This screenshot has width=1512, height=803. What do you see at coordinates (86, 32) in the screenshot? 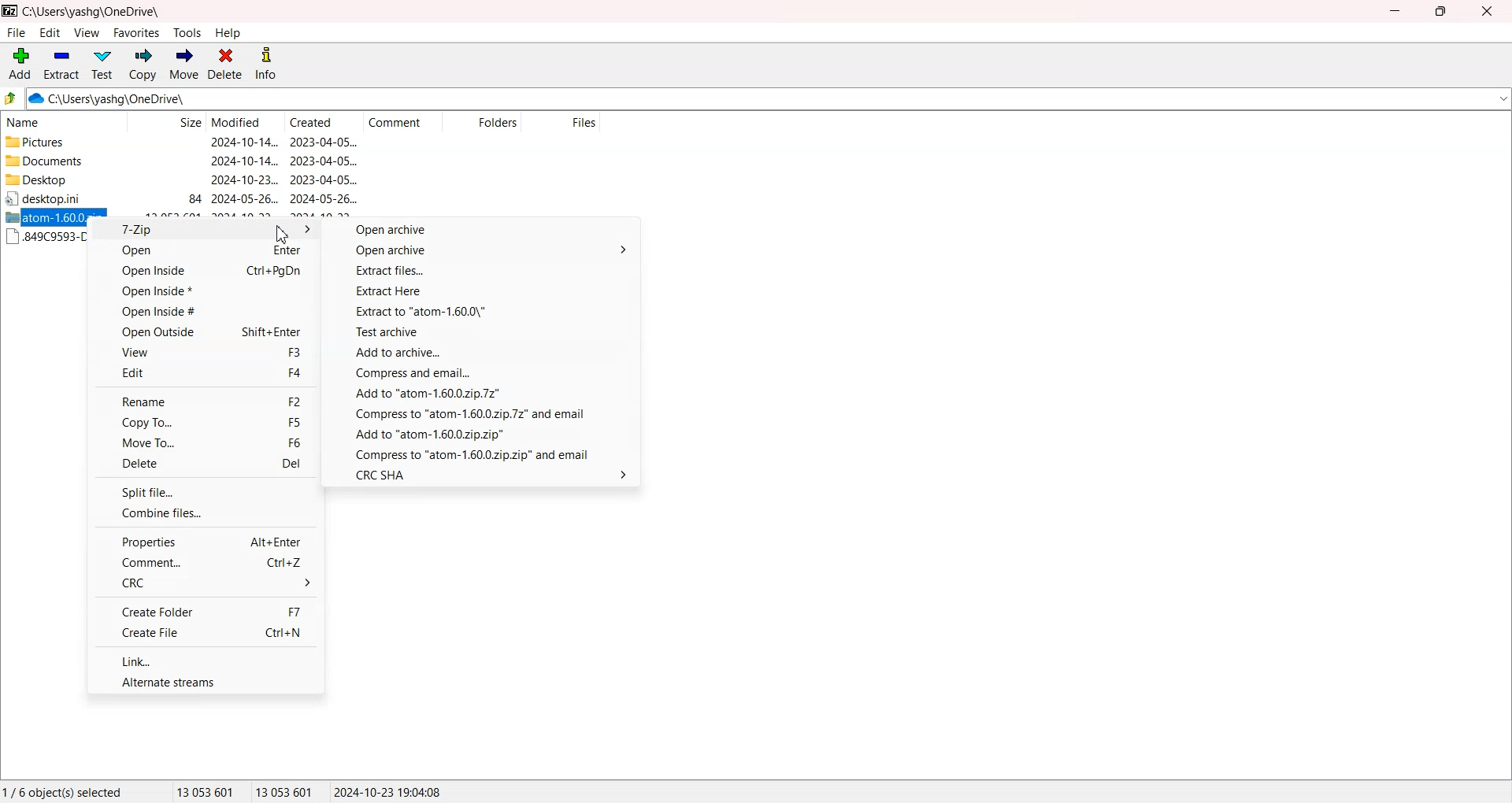
I see `View` at bounding box center [86, 32].